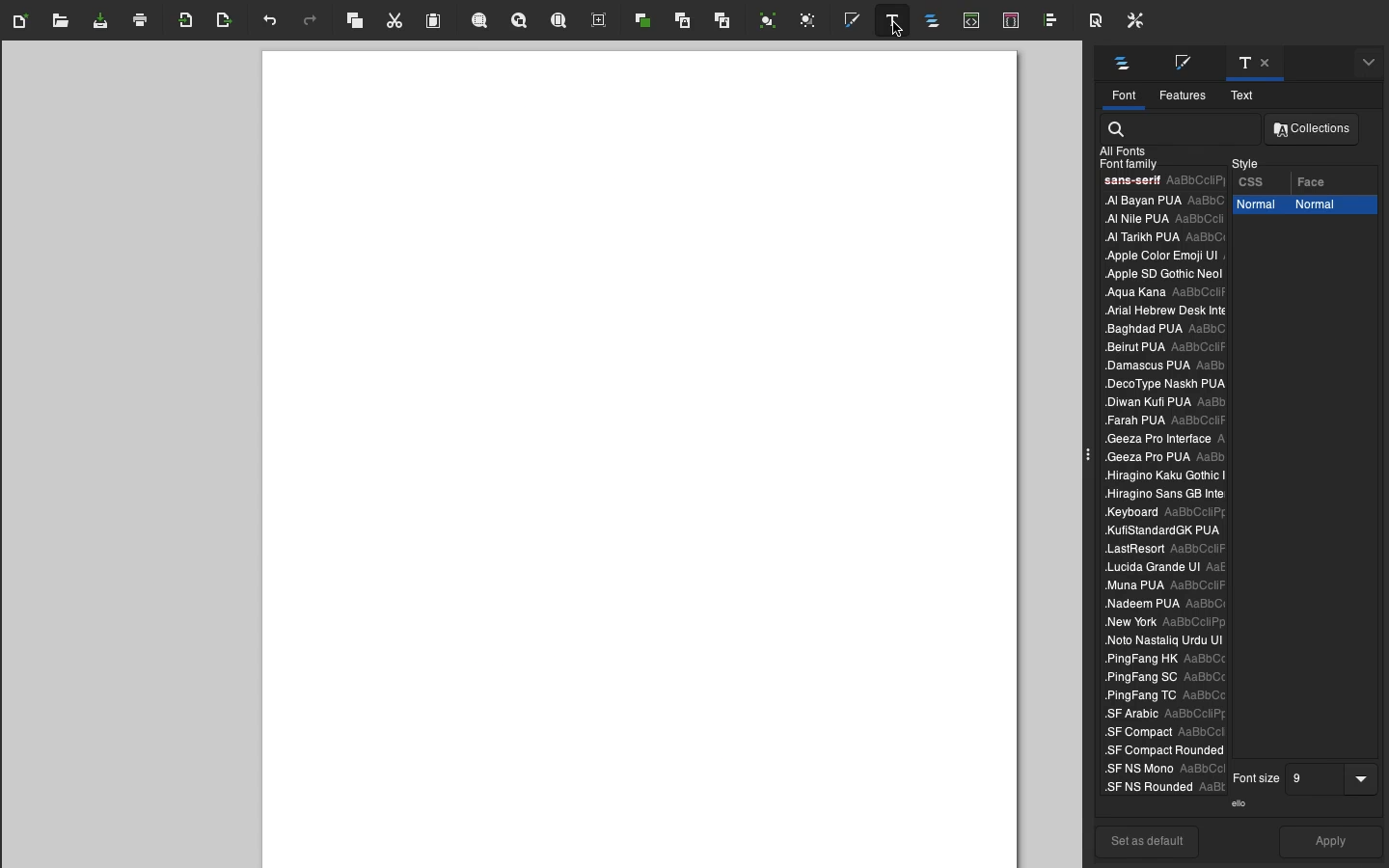 The image size is (1389, 868). I want to click on .Al Nile PUA, so click(1159, 218).